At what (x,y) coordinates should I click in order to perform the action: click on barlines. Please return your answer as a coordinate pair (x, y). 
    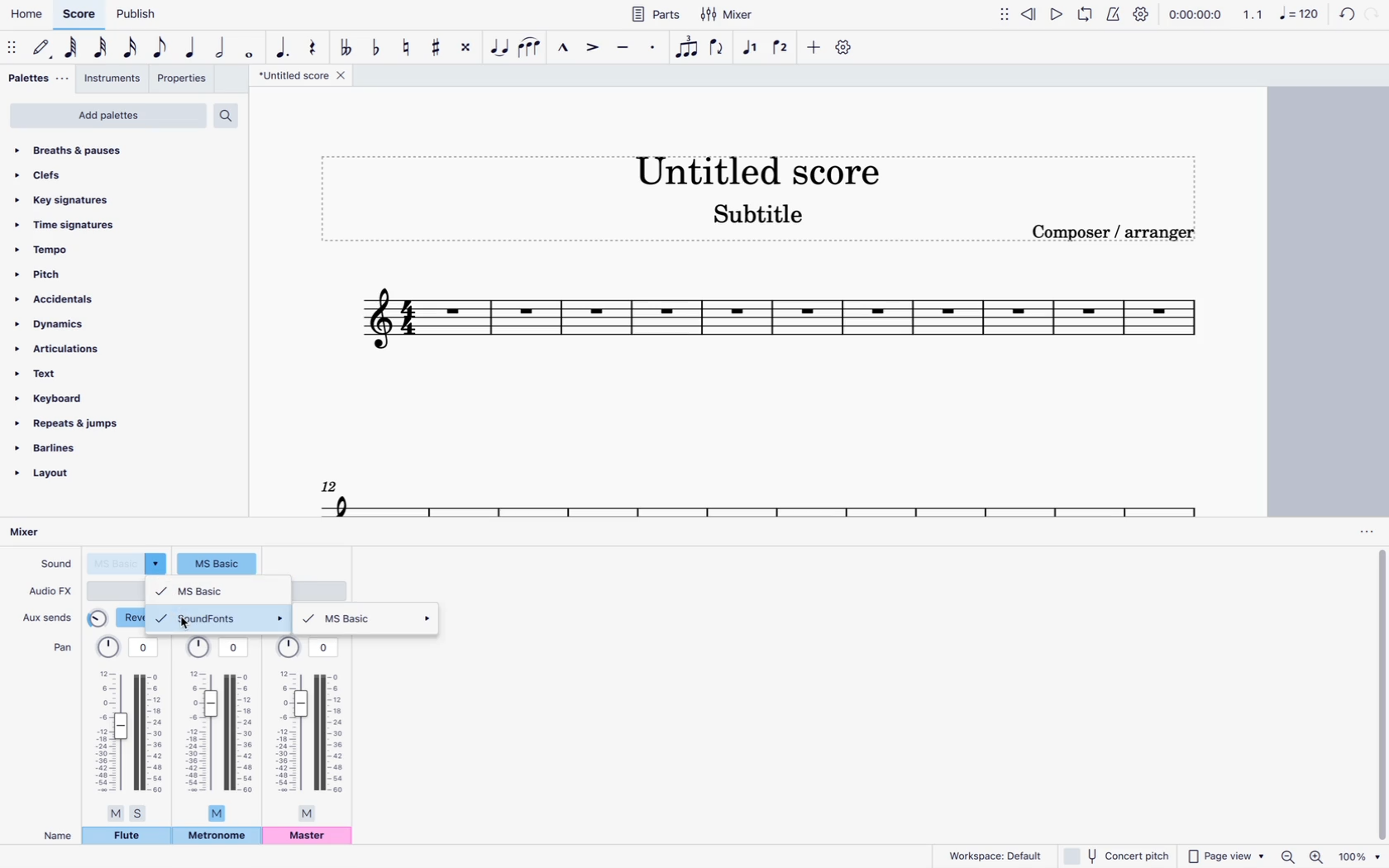
    Looking at the image, I should click on (69, 451).